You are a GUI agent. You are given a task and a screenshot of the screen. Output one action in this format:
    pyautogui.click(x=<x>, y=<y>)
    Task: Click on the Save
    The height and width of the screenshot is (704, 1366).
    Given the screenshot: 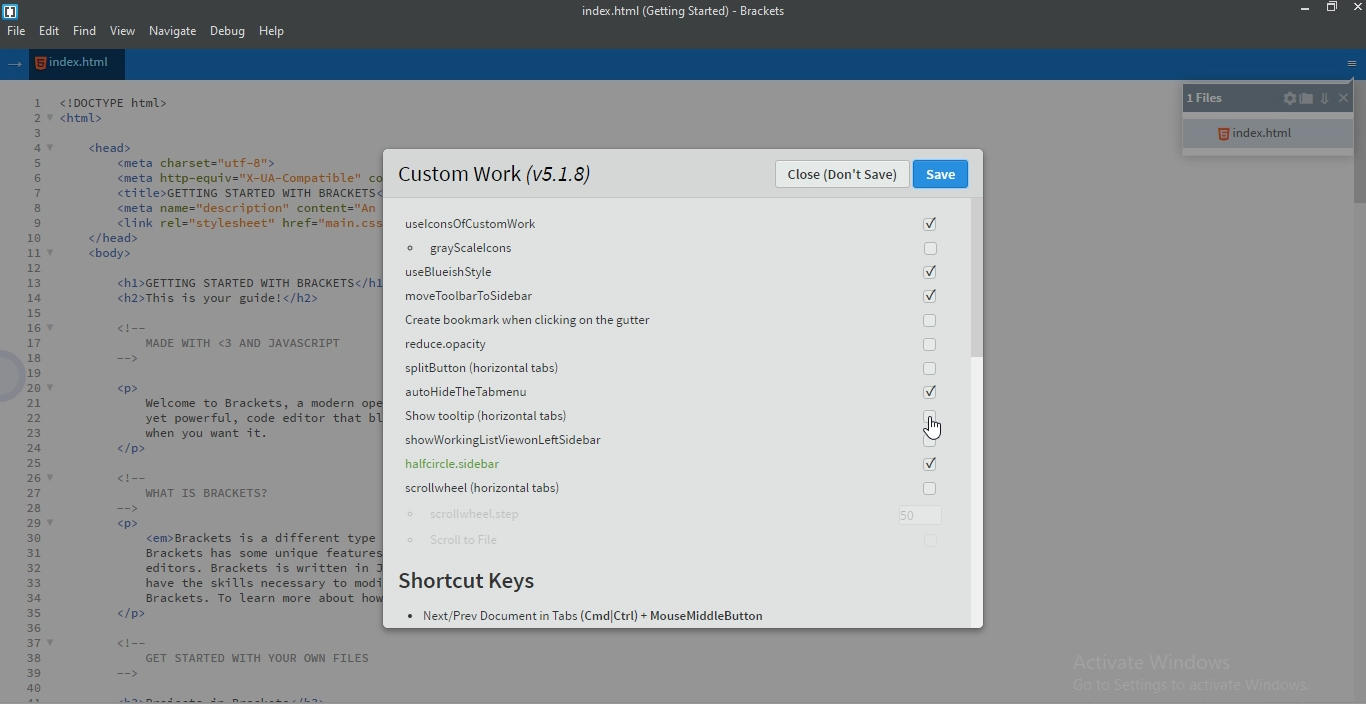 What is the action you would take?
    pyautogui.click(x=940, y=174)
    